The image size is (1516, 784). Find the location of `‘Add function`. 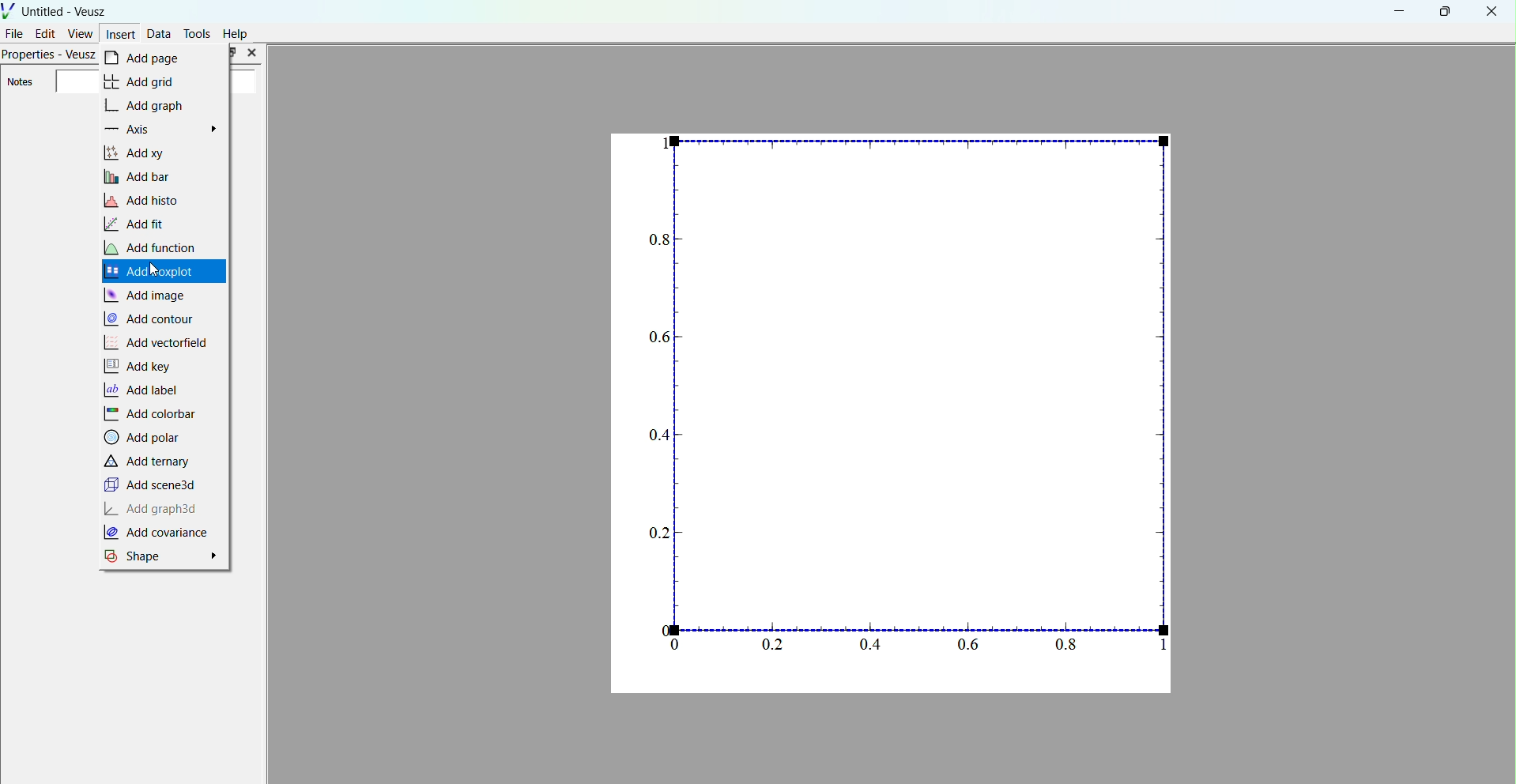

‘Add function is located at coordinates (157, 247).